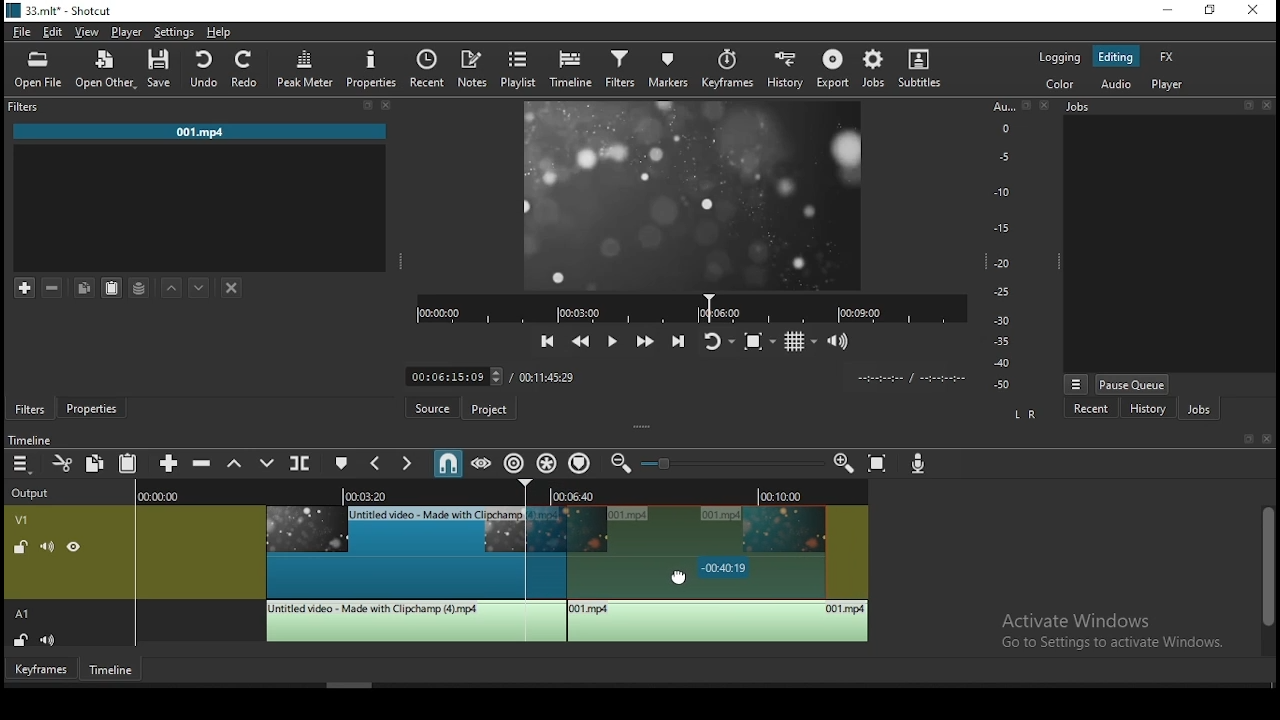 The width and height of the screenshot is (1280, 720). What do you see at coordinates (486, 410) in the screenshot?
I see `project` at bounding box center [486, 410].